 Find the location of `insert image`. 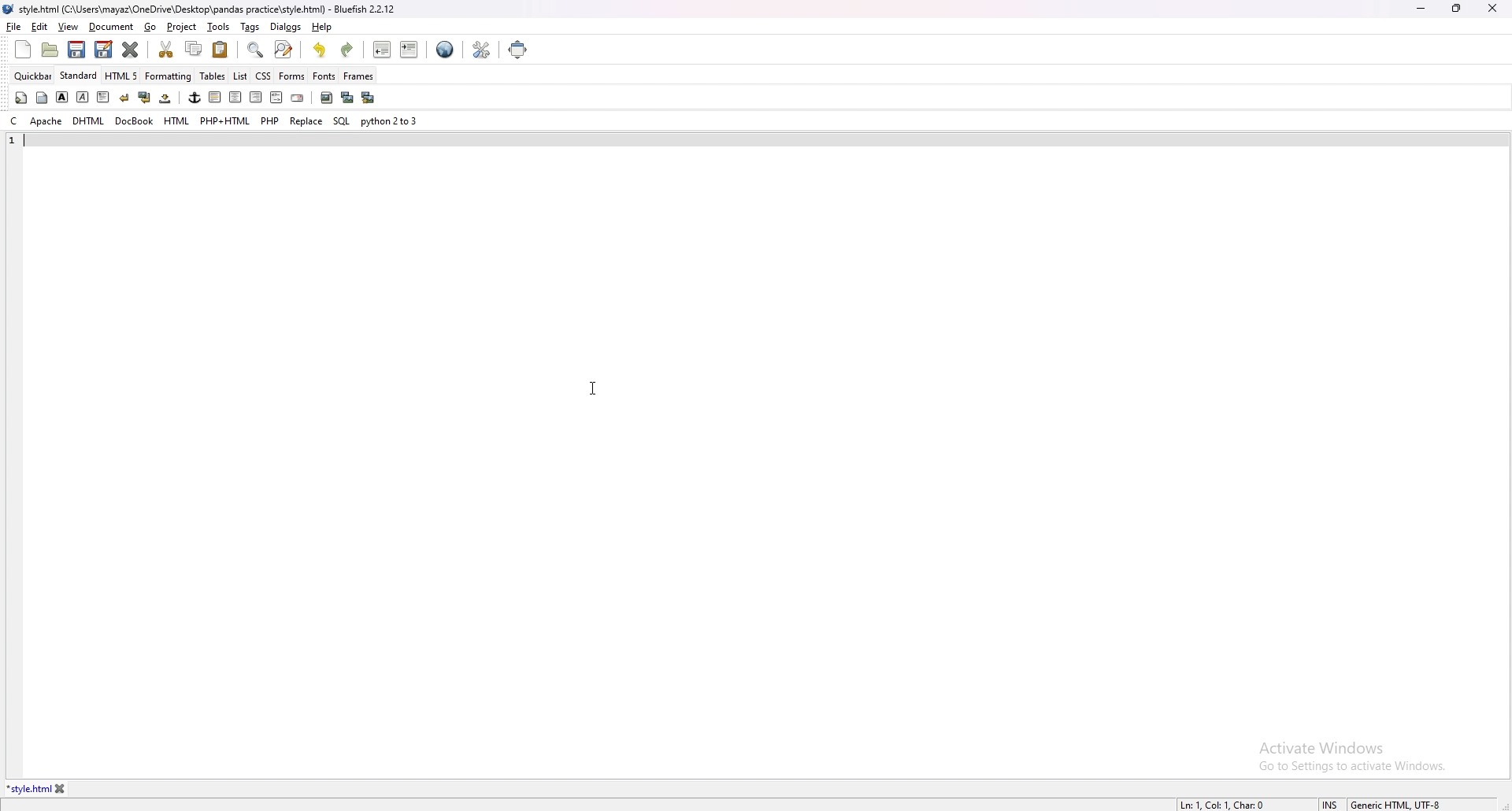

insert image is located at coordinates (326, 98).